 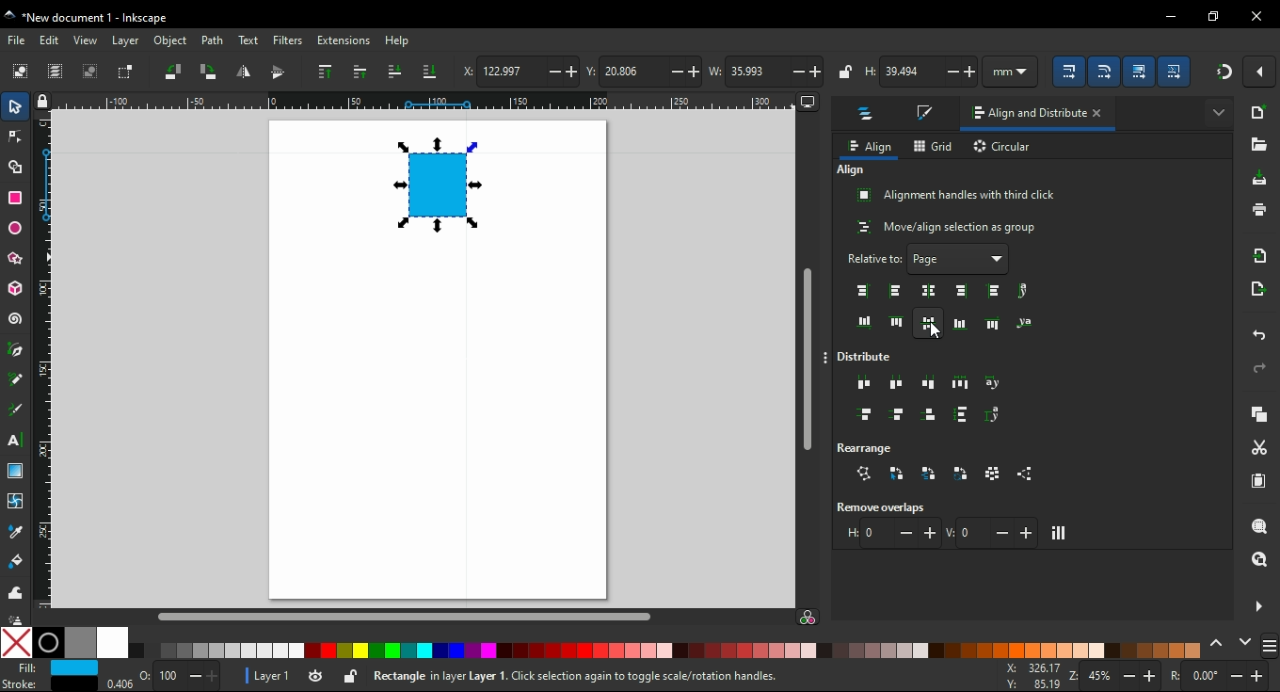 What do you see at coordinates (934, 146) in the screenshot?
I see `grid` at bounding box center [934, 146].